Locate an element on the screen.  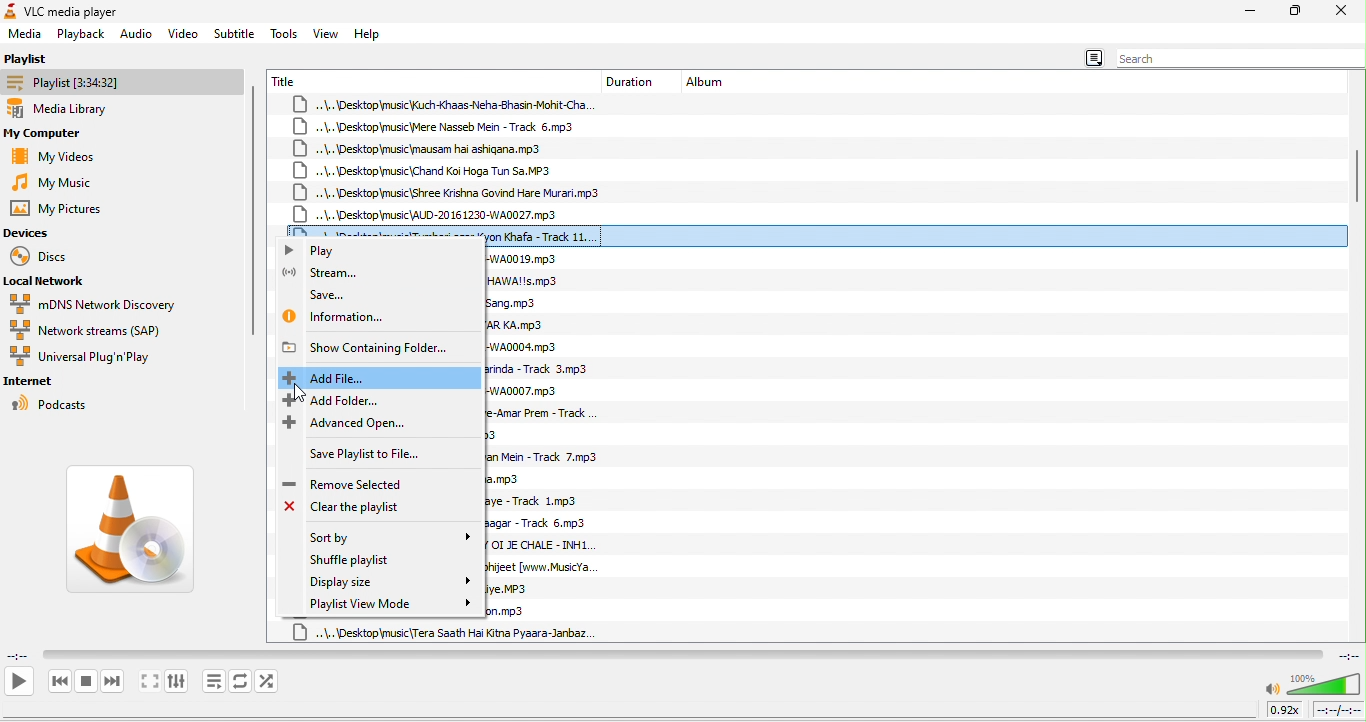
+.\.\Desktop\music\AUD-20170131-WA0004.mp3 is located at coordinates (528, 347).